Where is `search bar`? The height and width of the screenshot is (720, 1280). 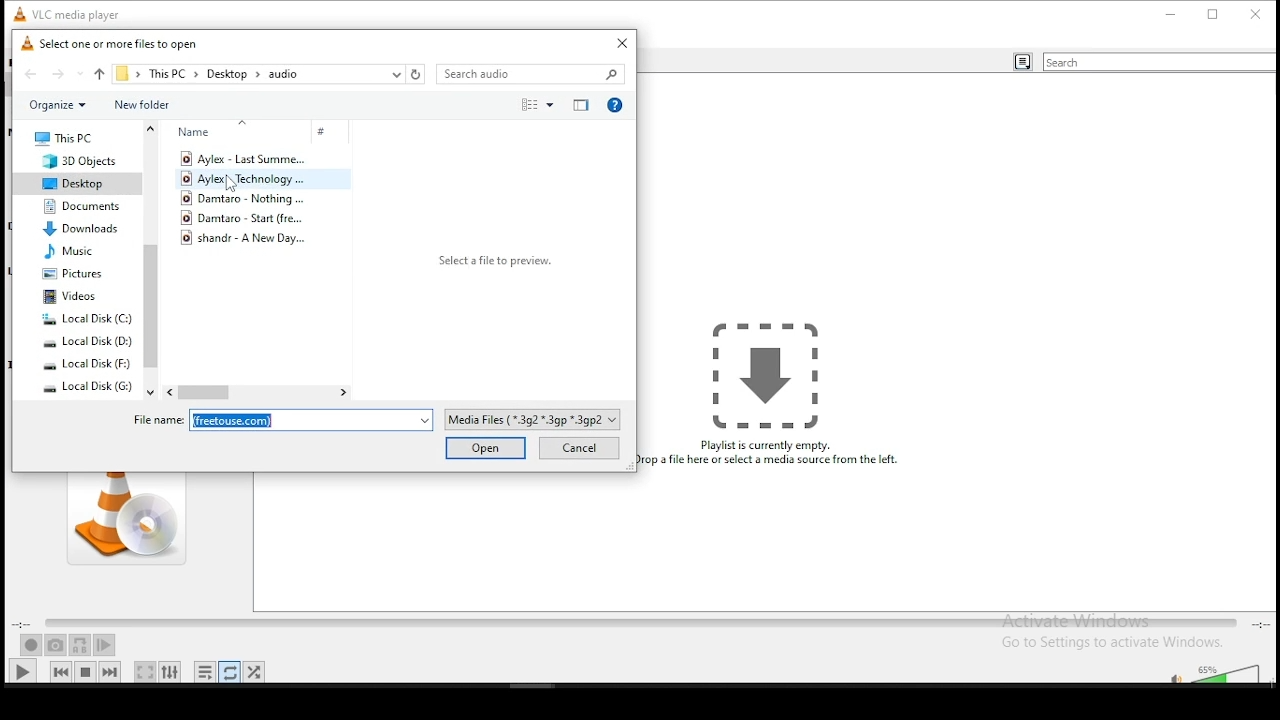 search bar is located at coordinates (534, 74).